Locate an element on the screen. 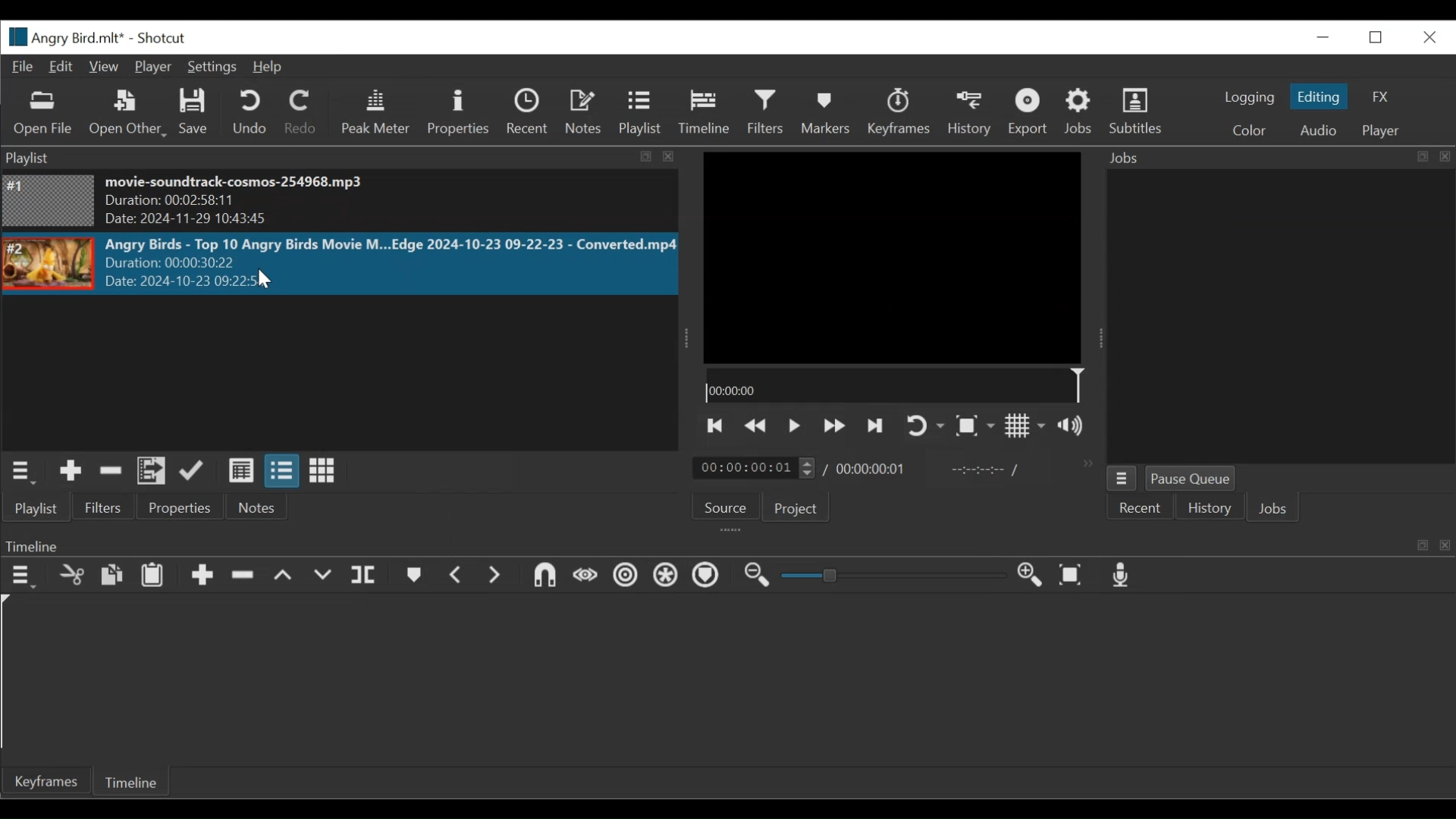 The height and width of the screenshot is (819, 1456). Editing is located at coordinates (1319, 97).